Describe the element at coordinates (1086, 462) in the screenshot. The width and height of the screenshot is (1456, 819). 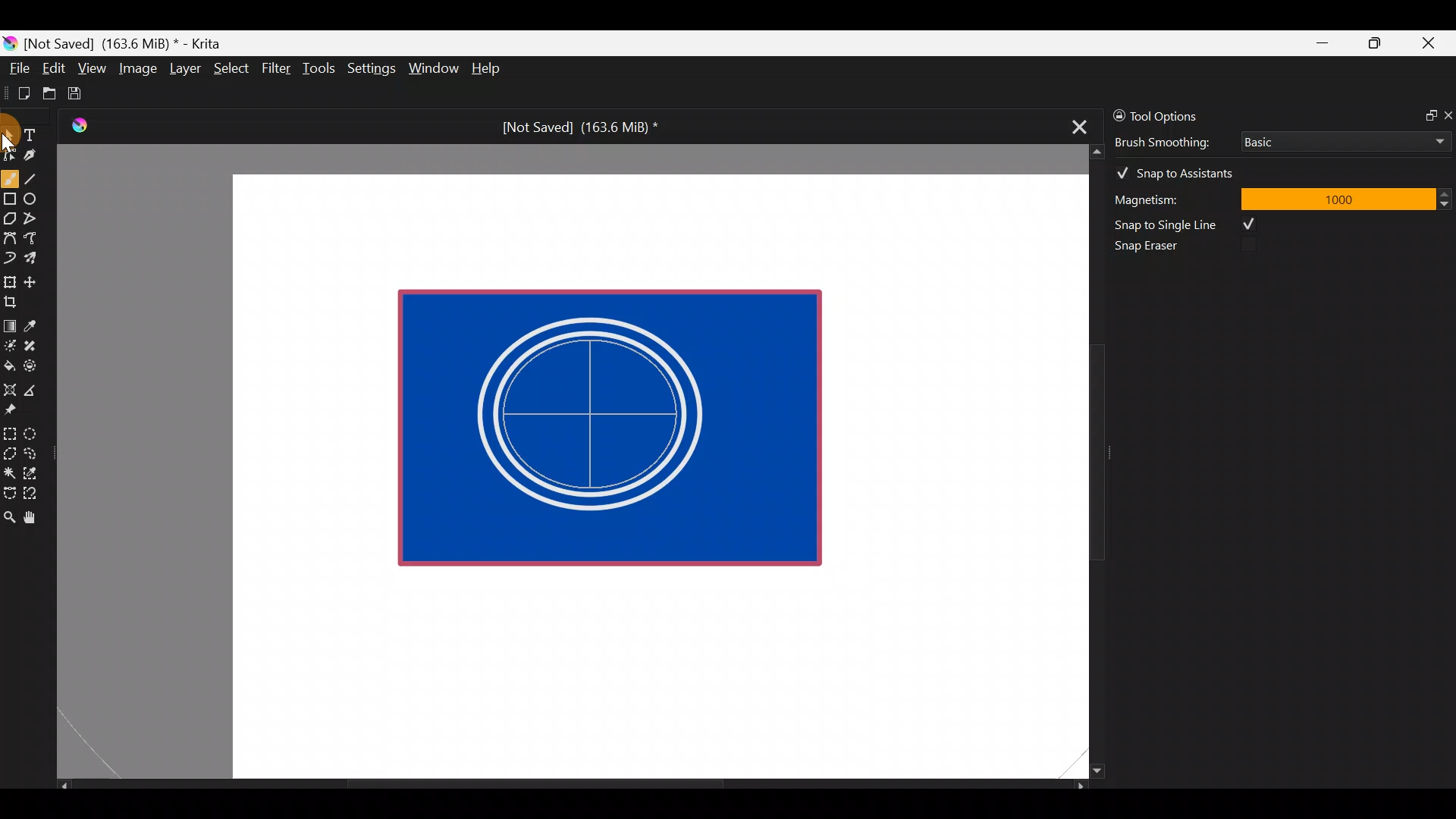
I see `Scroll bar` at that location.